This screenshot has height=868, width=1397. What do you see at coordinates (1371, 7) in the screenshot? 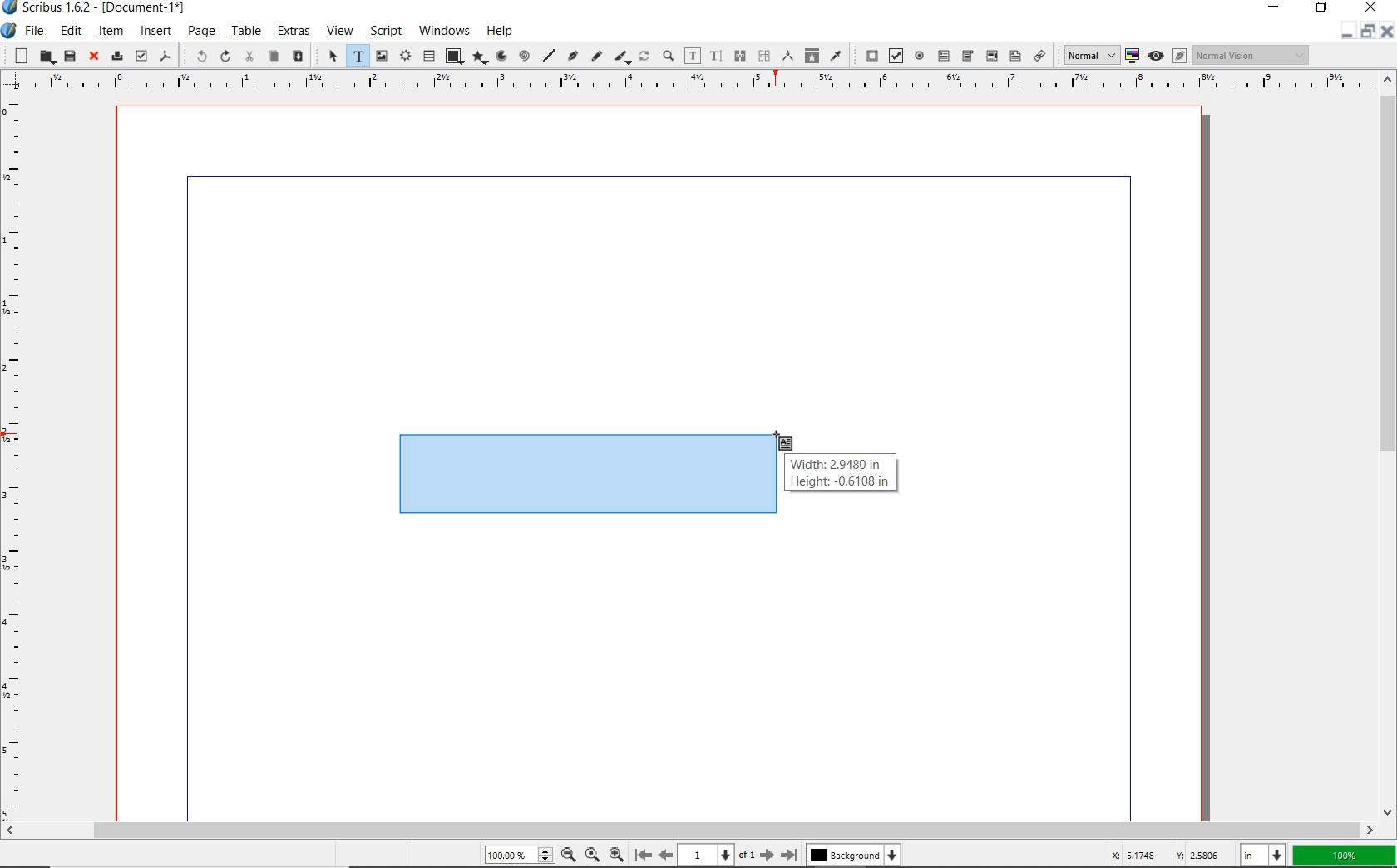
I see `close` at bounding box center [1371, 7].